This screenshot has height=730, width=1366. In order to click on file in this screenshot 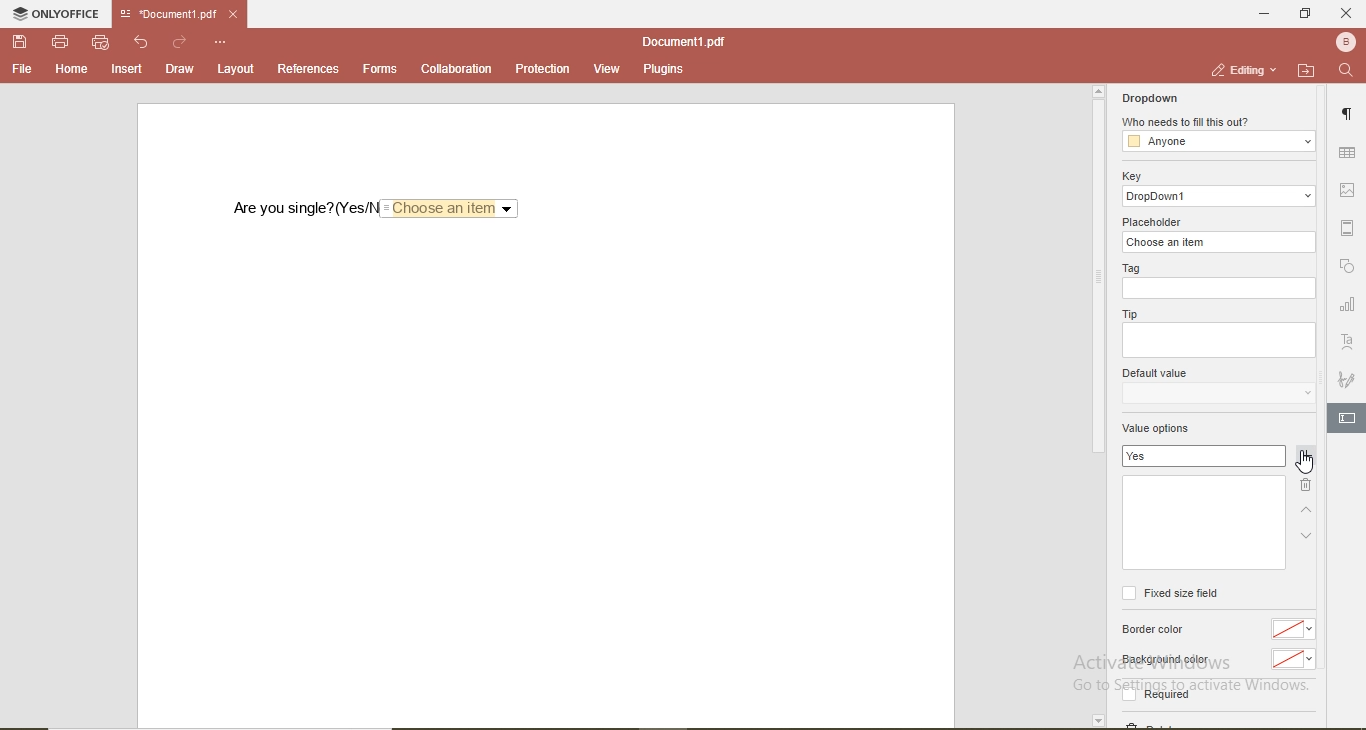, I will do `click(23, 70)`.